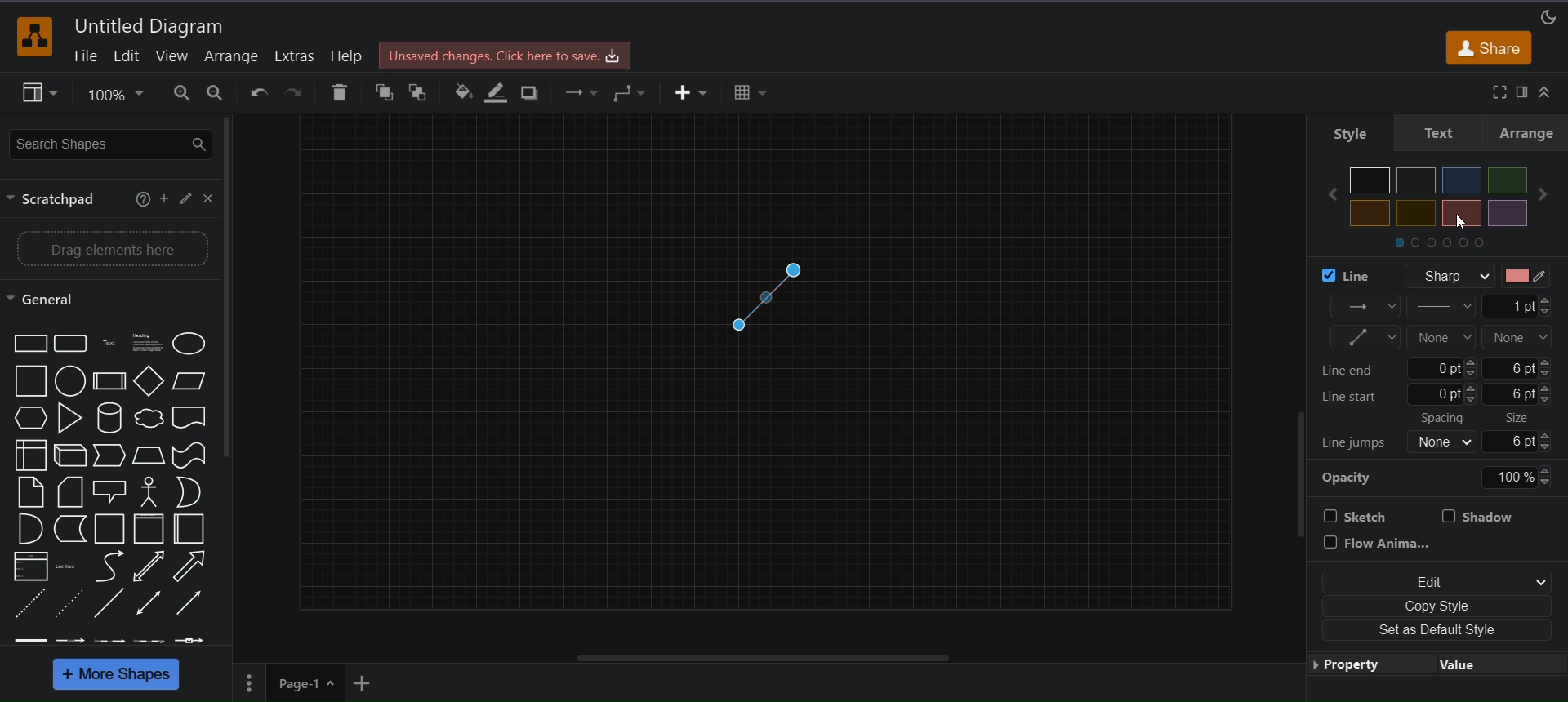  I want to click on share, so click(1491, 49).